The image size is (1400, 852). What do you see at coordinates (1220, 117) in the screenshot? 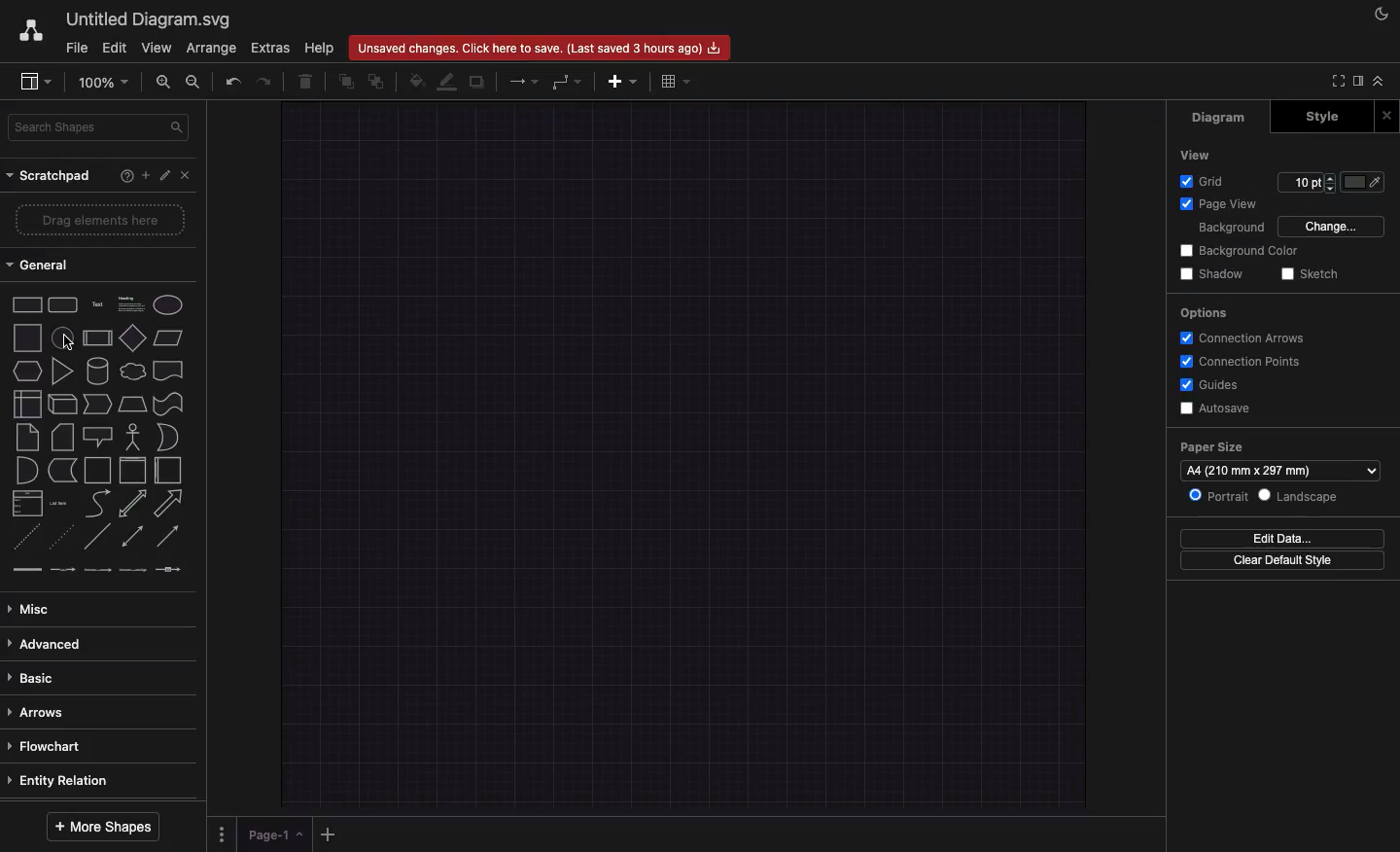
I see `Diagram` at bounding box center [1220, 117].